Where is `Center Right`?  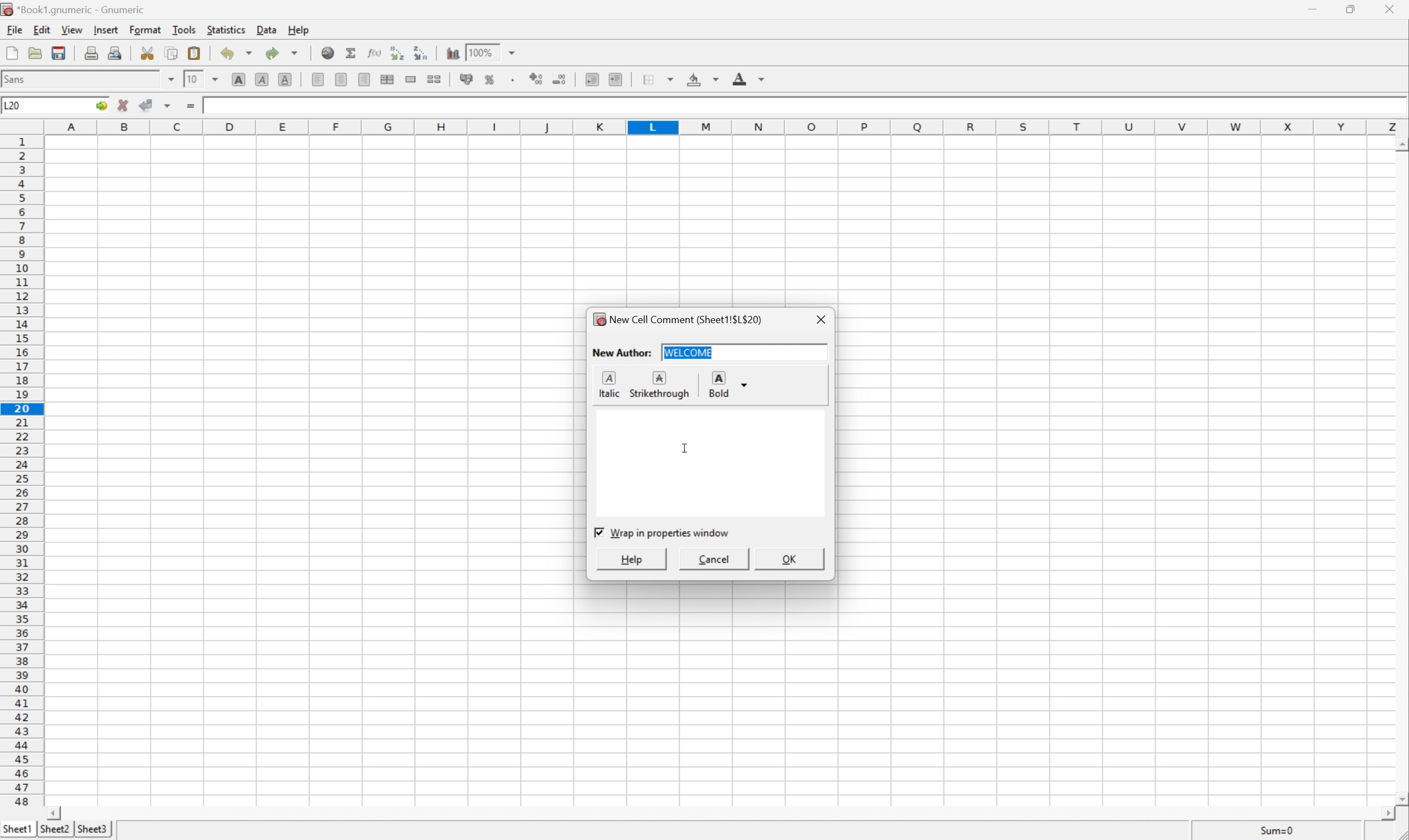
Center Right is located at coordinates (364, 80).